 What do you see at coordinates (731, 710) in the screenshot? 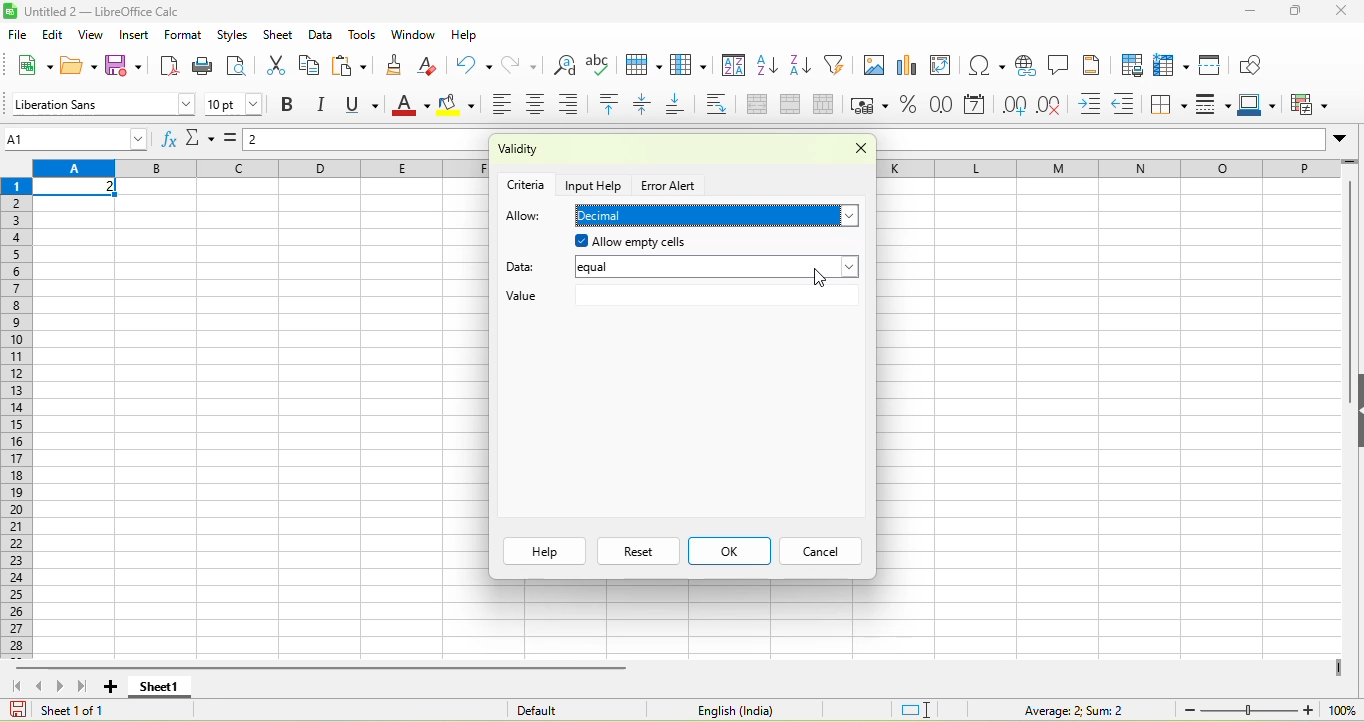
I see `text language` at bounding box center [731, 710].